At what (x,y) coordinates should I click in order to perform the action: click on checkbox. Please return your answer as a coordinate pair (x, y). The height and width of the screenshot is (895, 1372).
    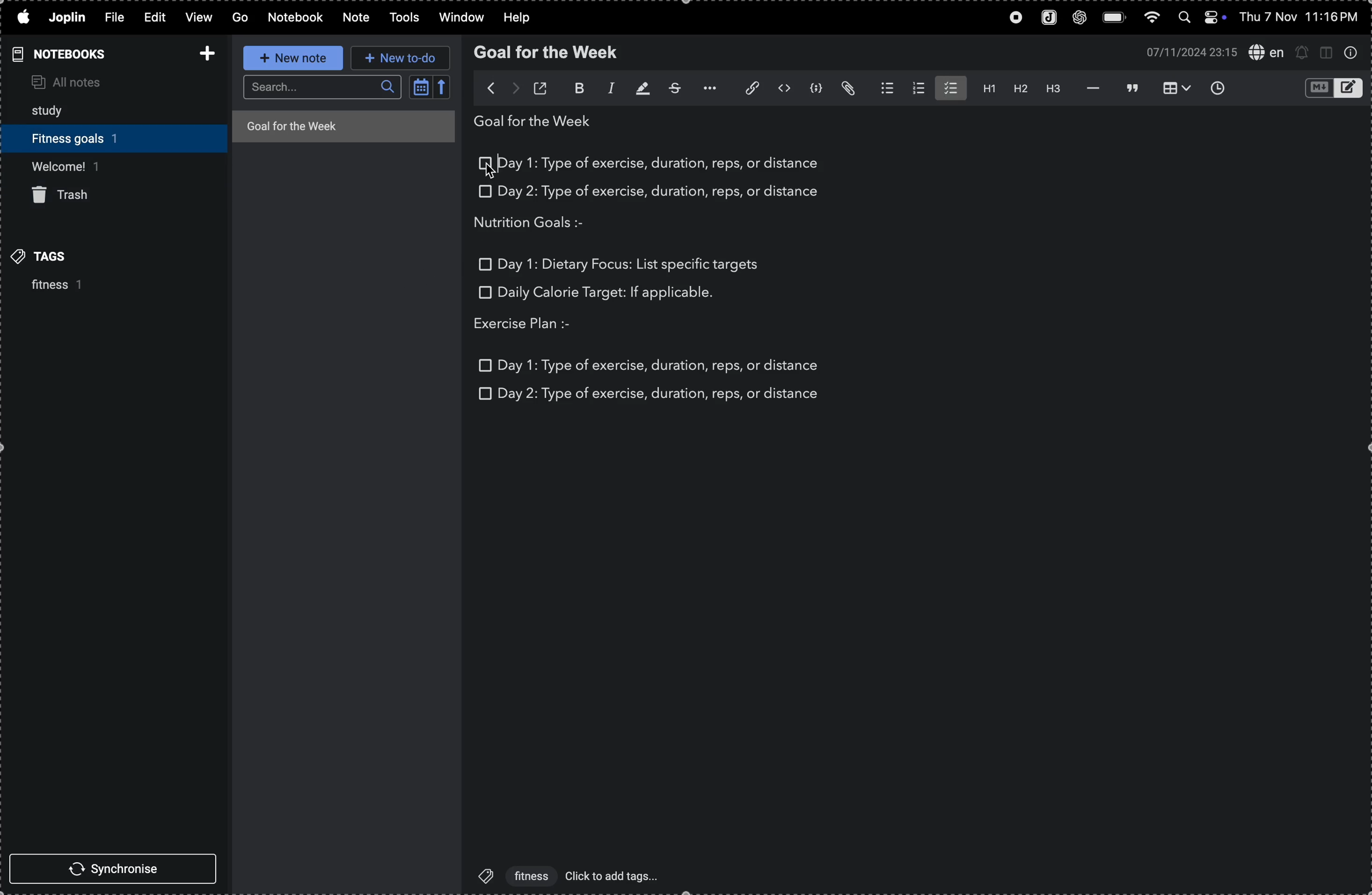
    Looking at the image, I should click on (483, 292).